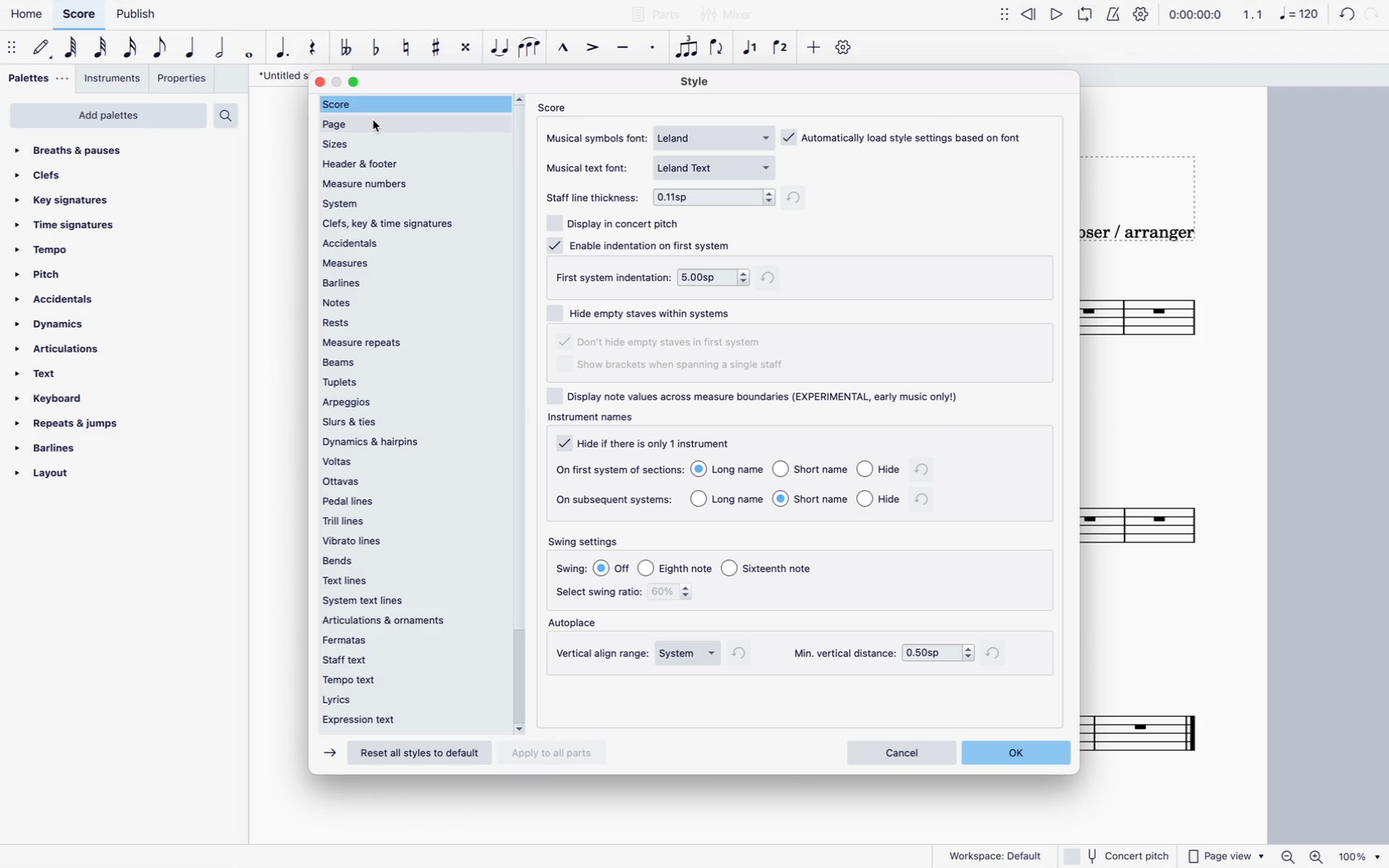 Image resolution: width=1389 pixels, height=868 pixels. I want to click on search, so click(227, 116).